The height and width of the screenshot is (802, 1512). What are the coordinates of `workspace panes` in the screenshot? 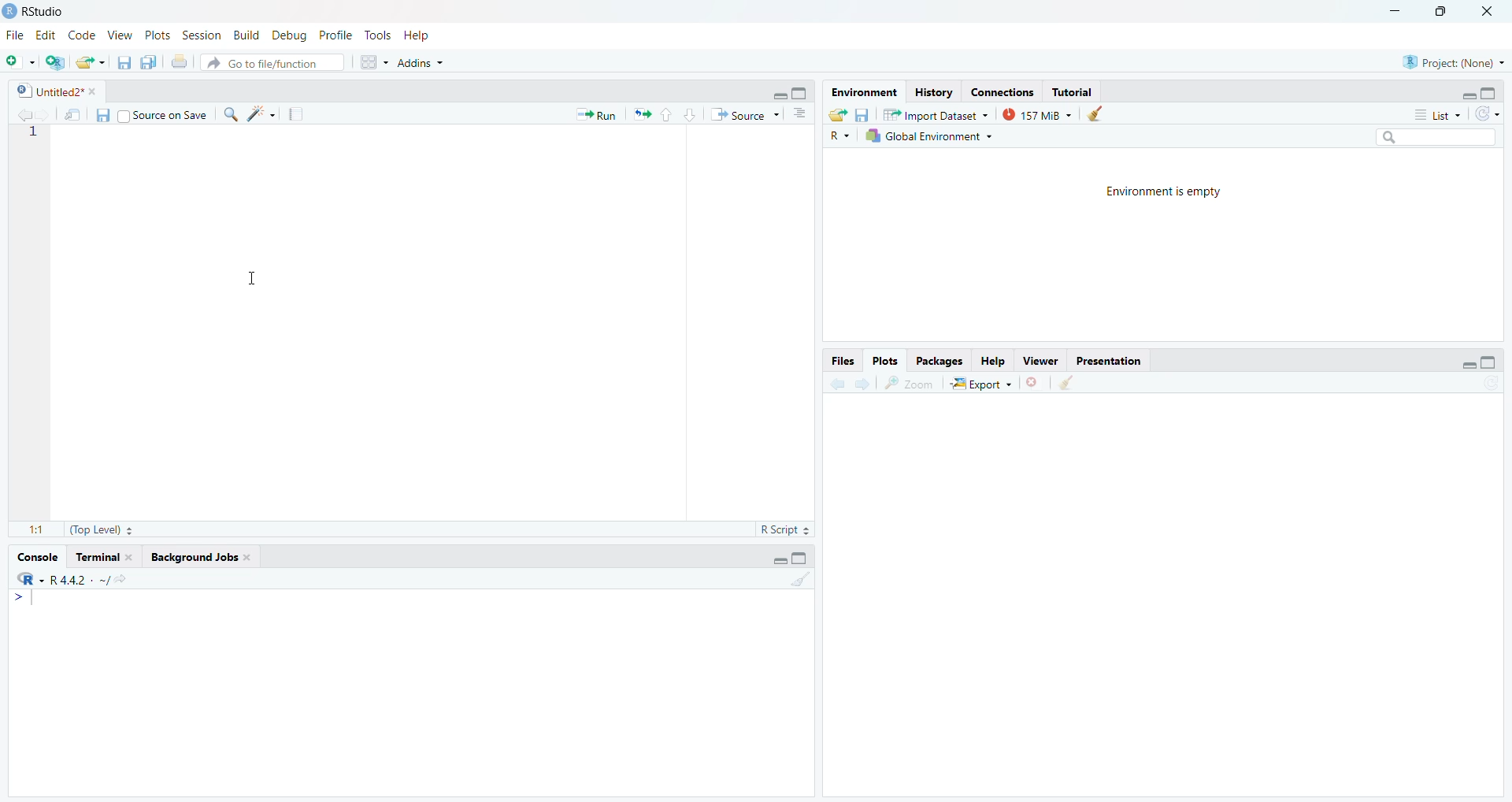 It's located at (377, 61).